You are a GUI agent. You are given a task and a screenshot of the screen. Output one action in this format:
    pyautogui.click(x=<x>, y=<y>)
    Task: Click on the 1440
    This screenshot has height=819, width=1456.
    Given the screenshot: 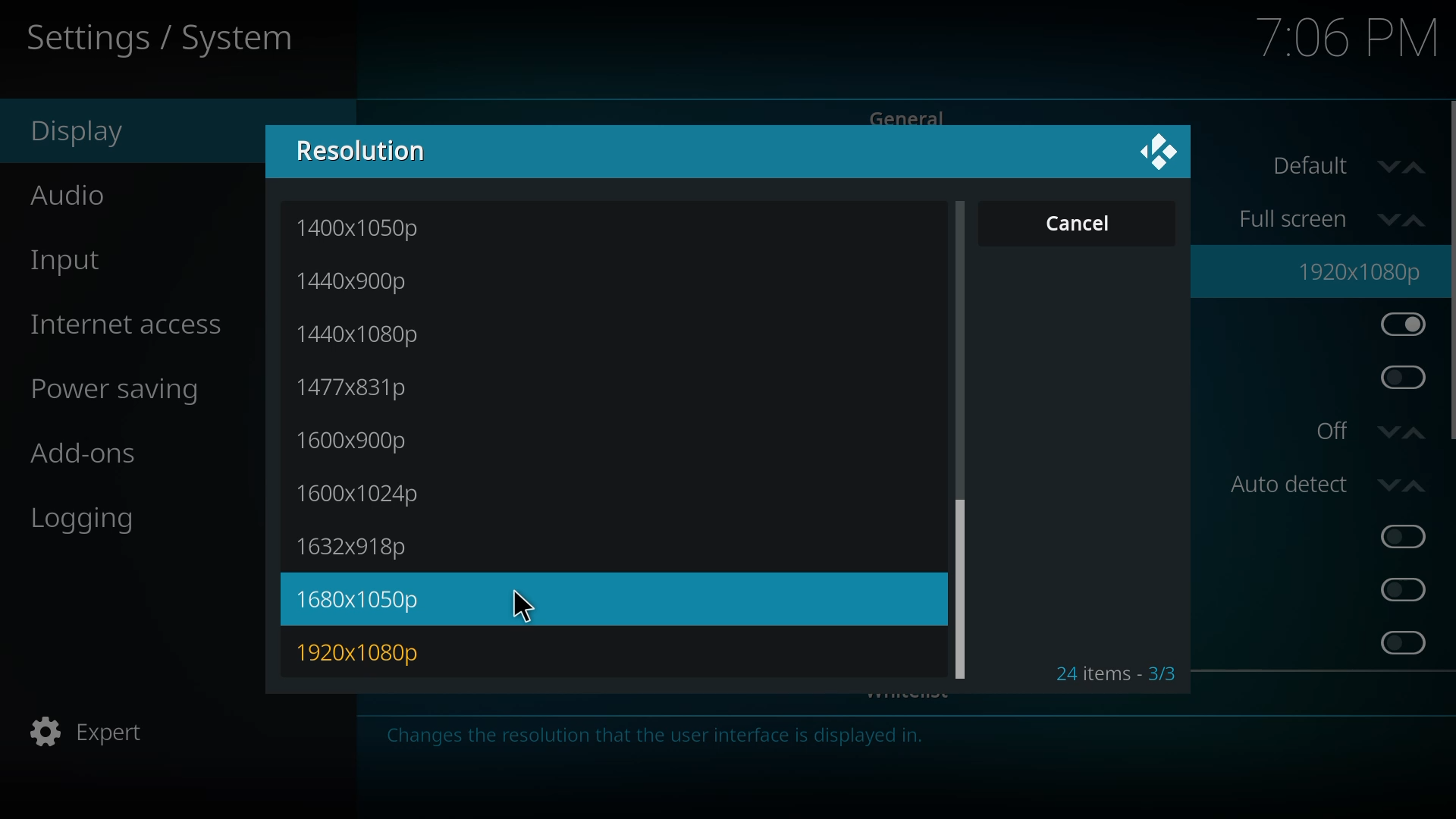 What is the action you would take?
    pyautogui.click(x=365, y=331)
    